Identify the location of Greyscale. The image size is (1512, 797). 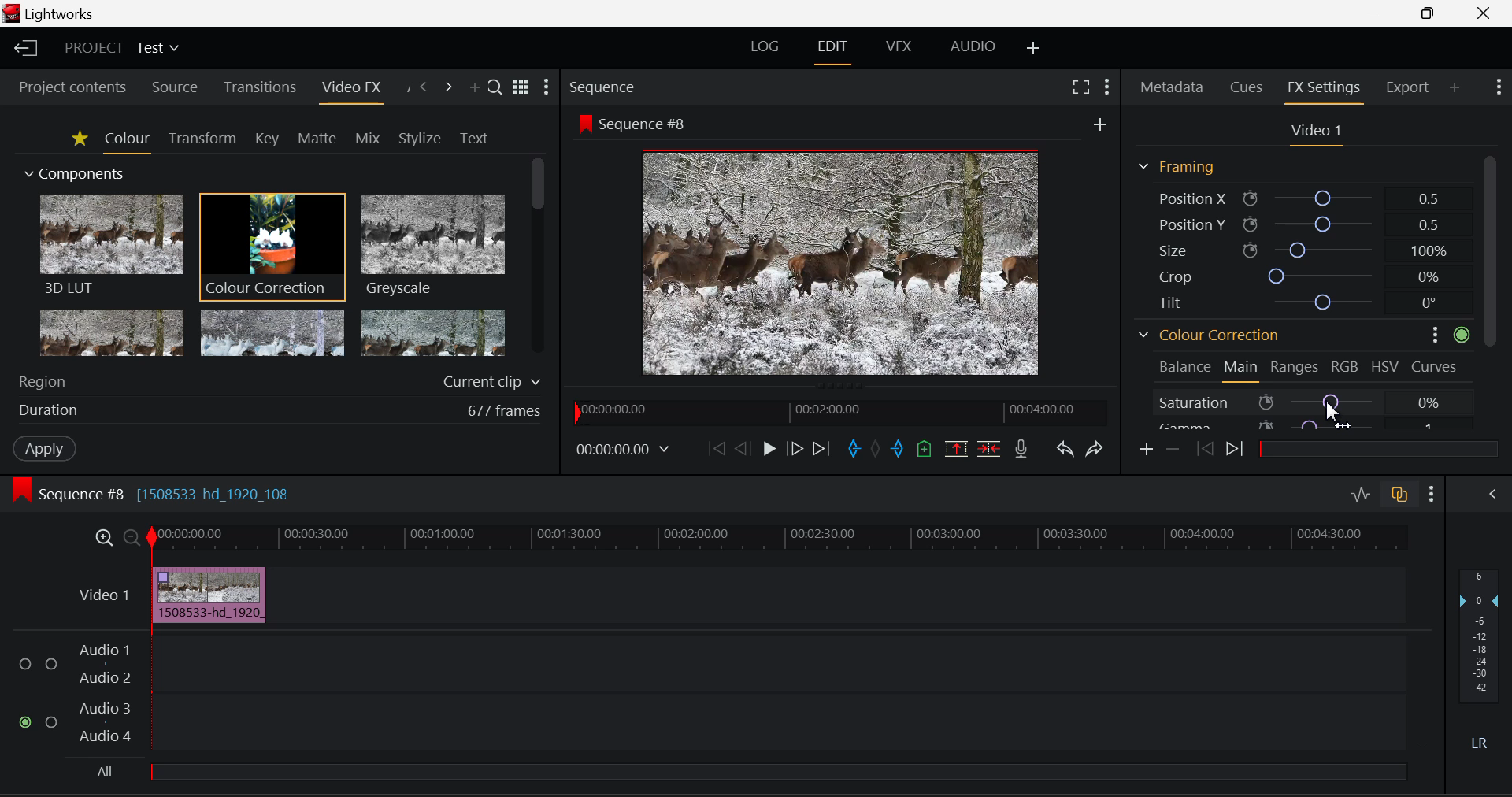
(431, 247).